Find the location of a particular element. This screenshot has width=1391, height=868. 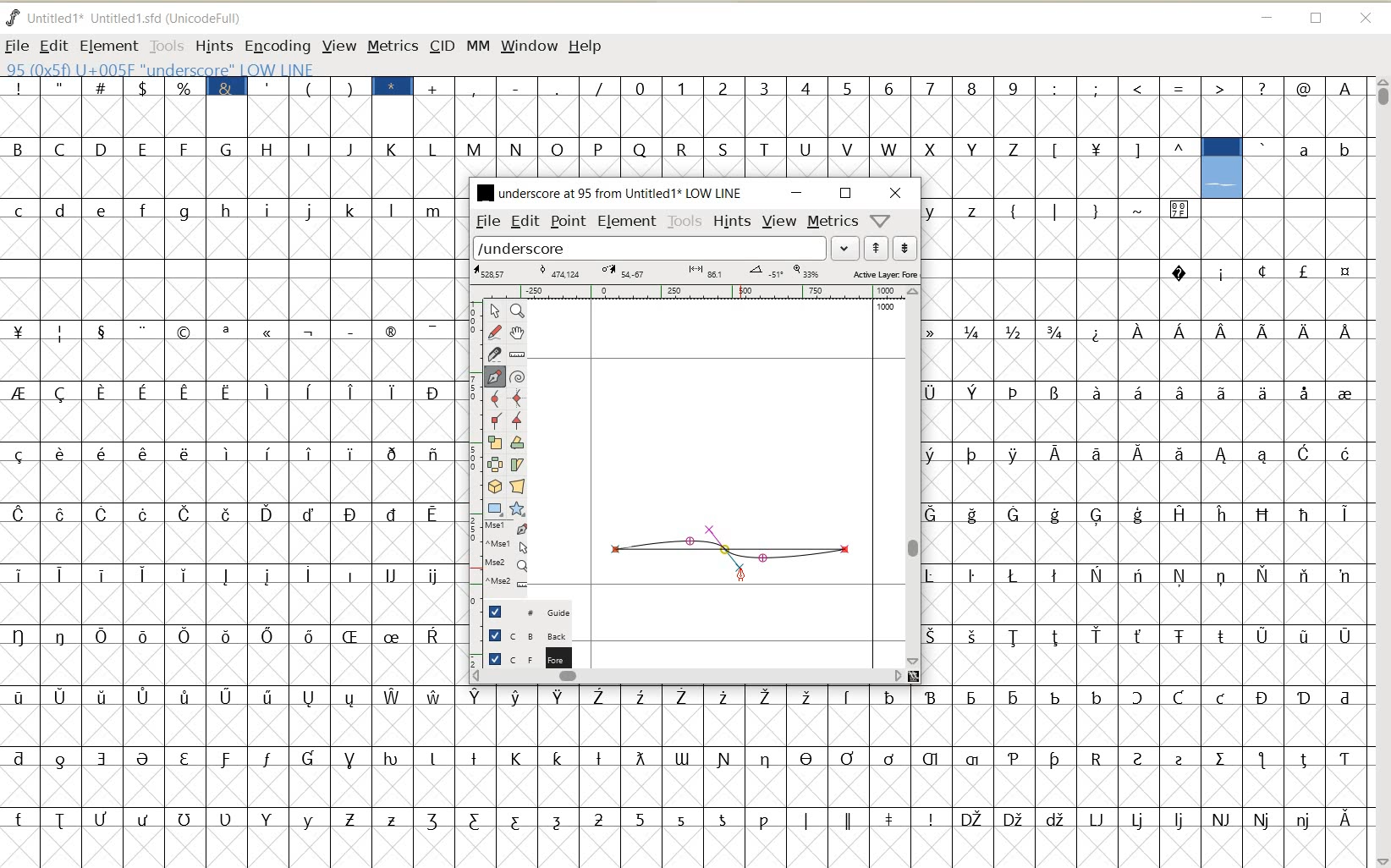

ELEMENT is located at coordinates (108, 47).